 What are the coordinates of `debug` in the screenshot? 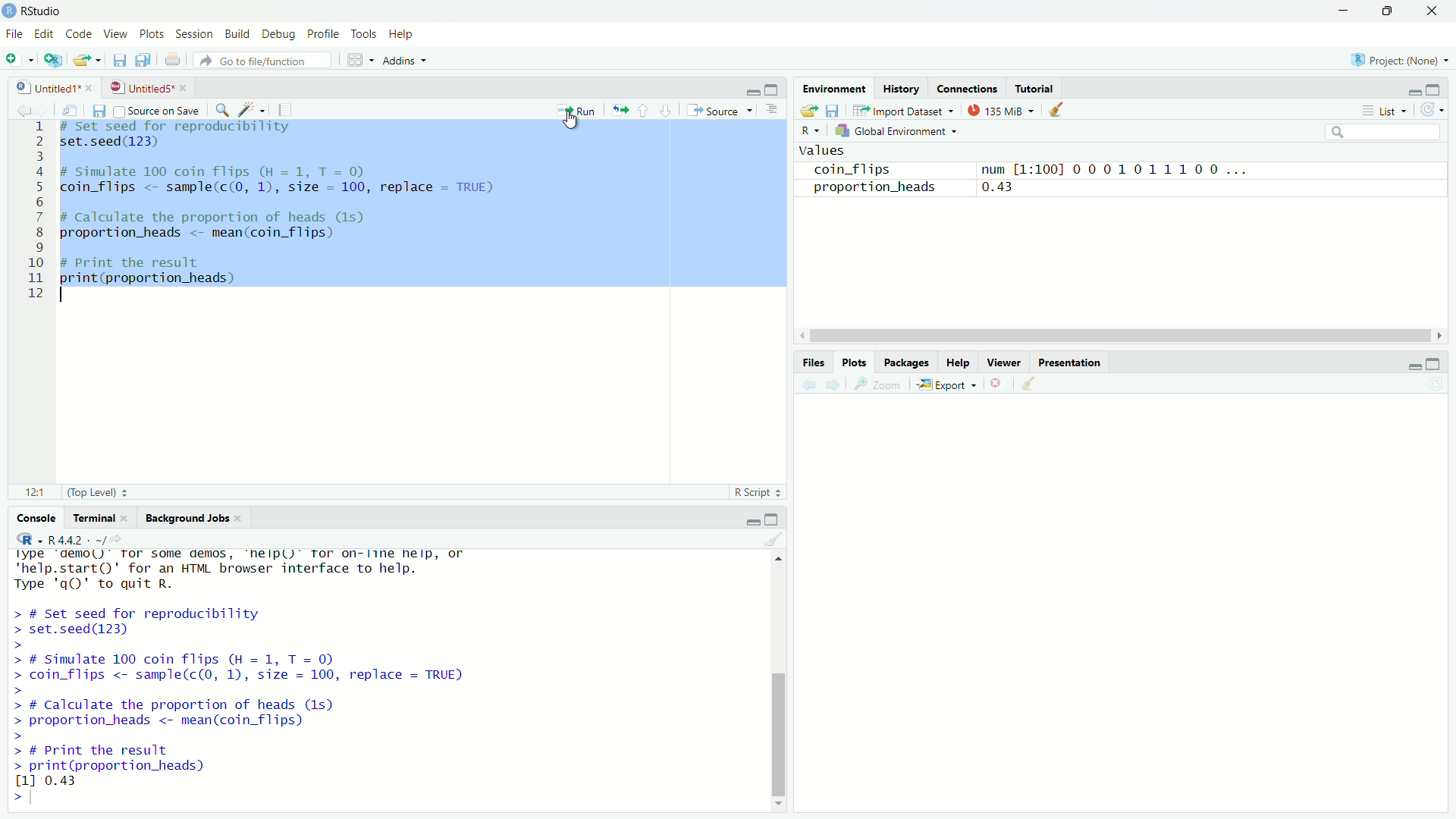 It's located at (281, 35).